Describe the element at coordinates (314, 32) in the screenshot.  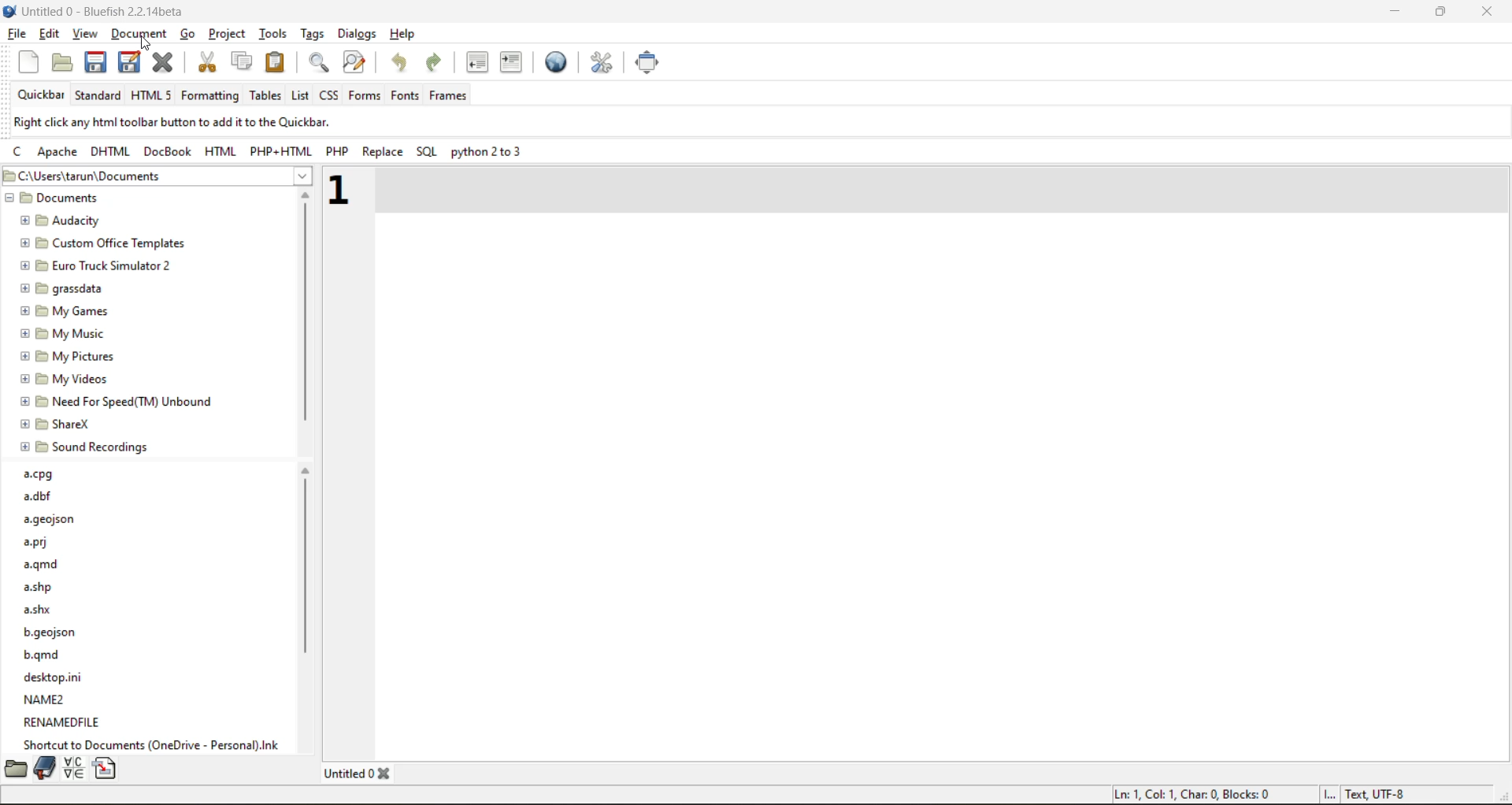
I see `tags` at that location.